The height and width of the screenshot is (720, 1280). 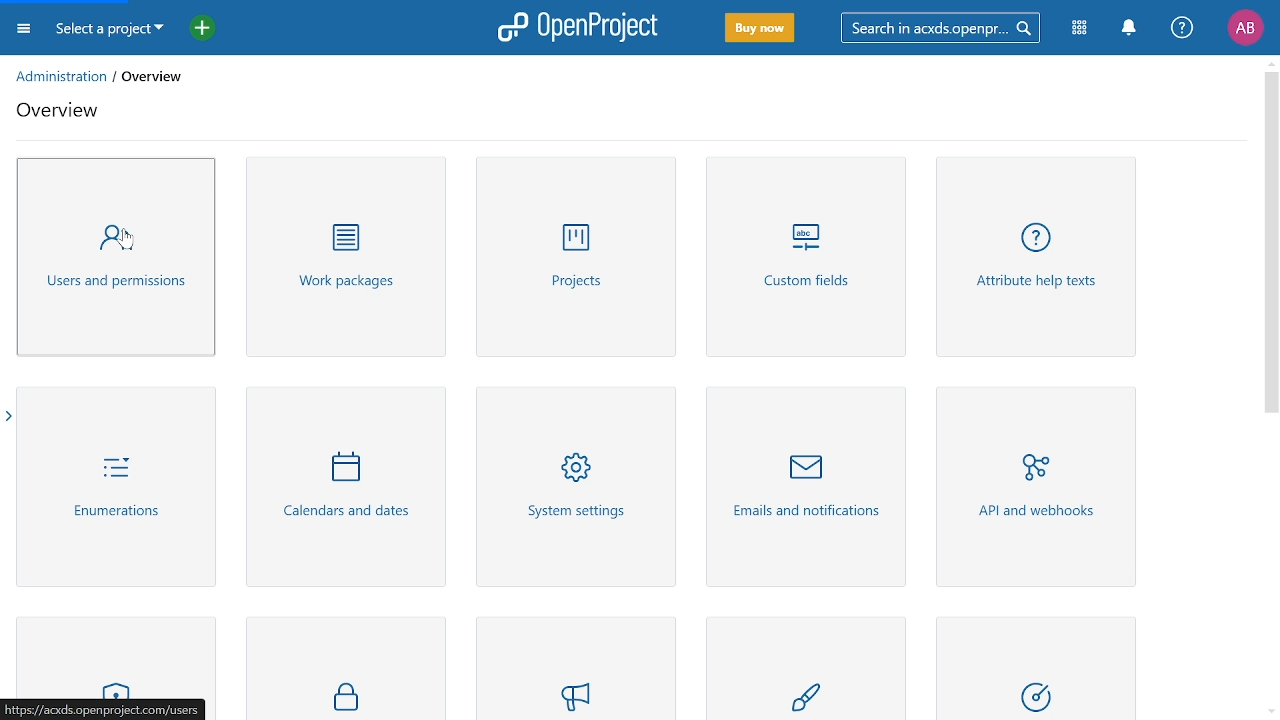 I want to click on design, so click(x=819, y=670).